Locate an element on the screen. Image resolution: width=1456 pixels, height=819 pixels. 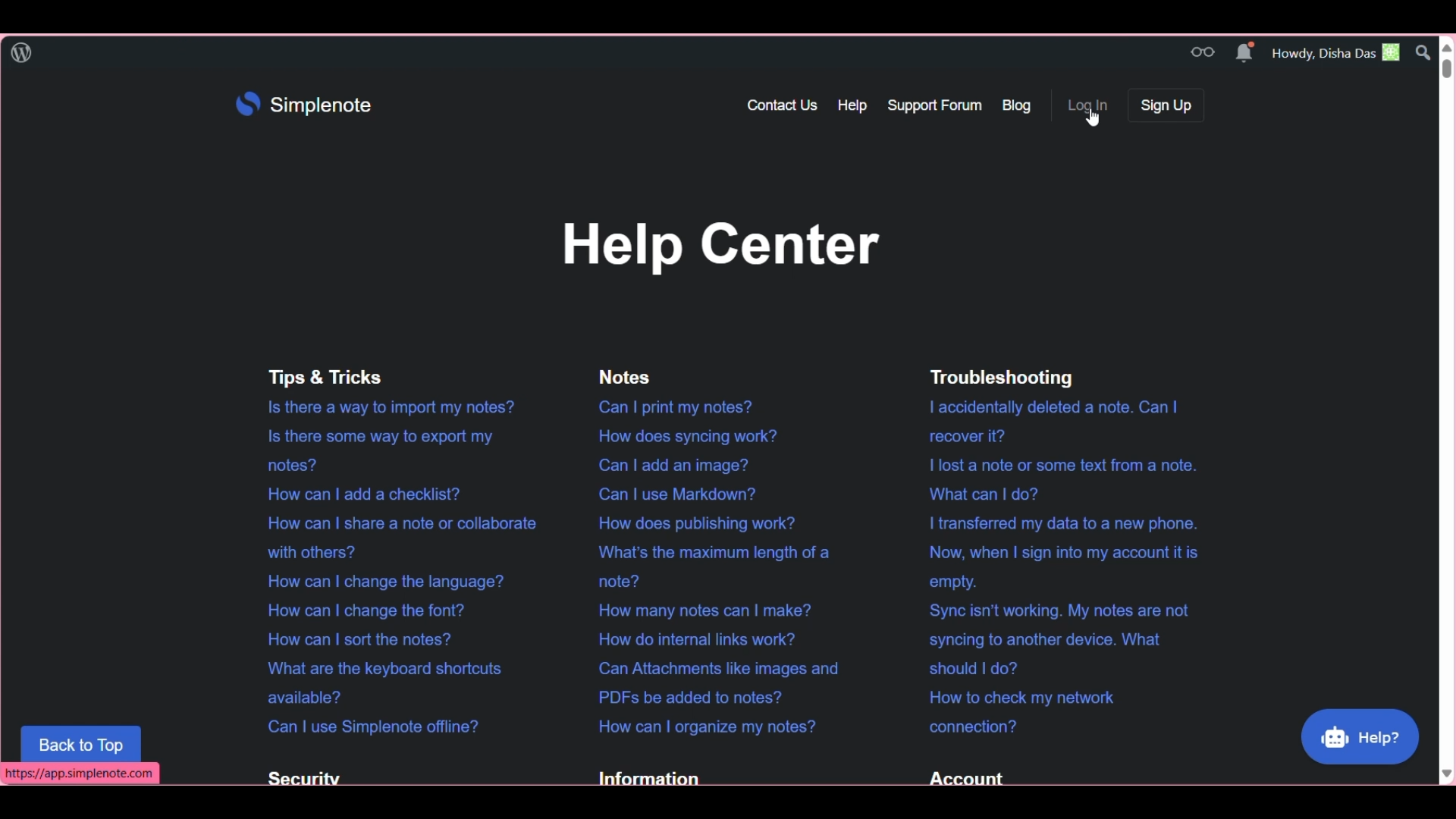
How does syncing work? is located at coordinates (690, 434).